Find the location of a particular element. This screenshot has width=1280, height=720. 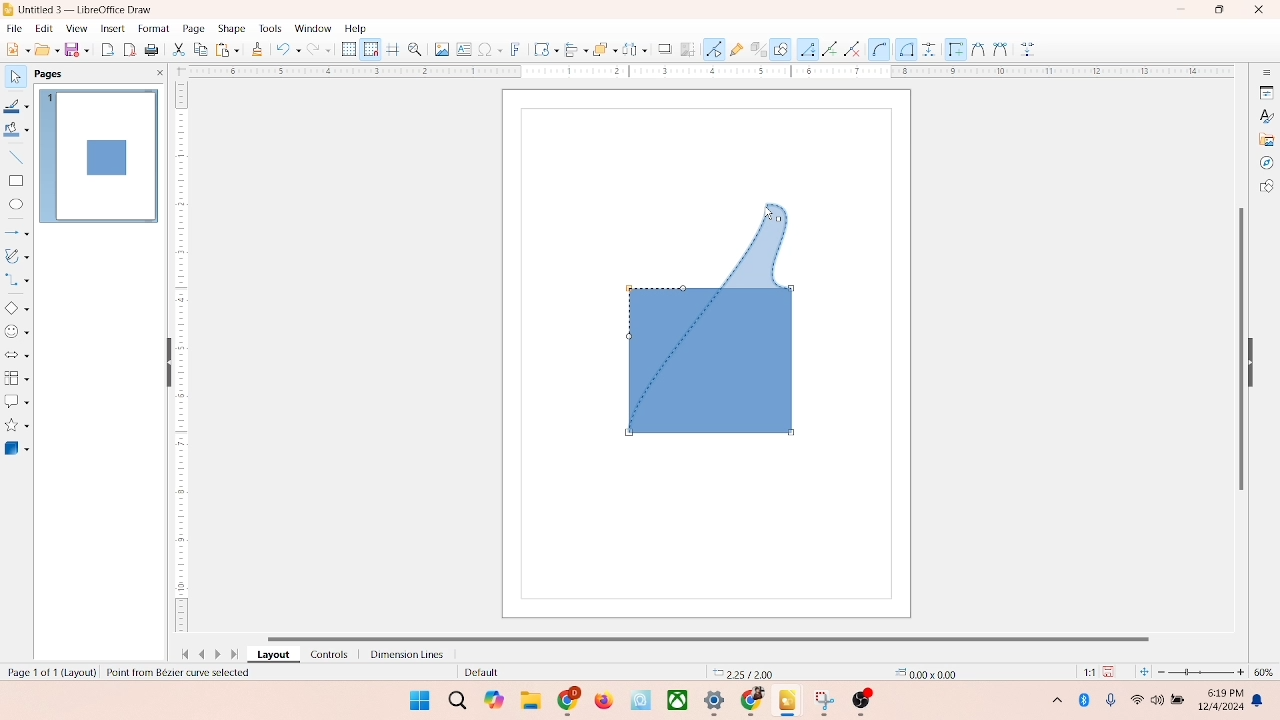

minimize is located at coordinates (1183, 9).